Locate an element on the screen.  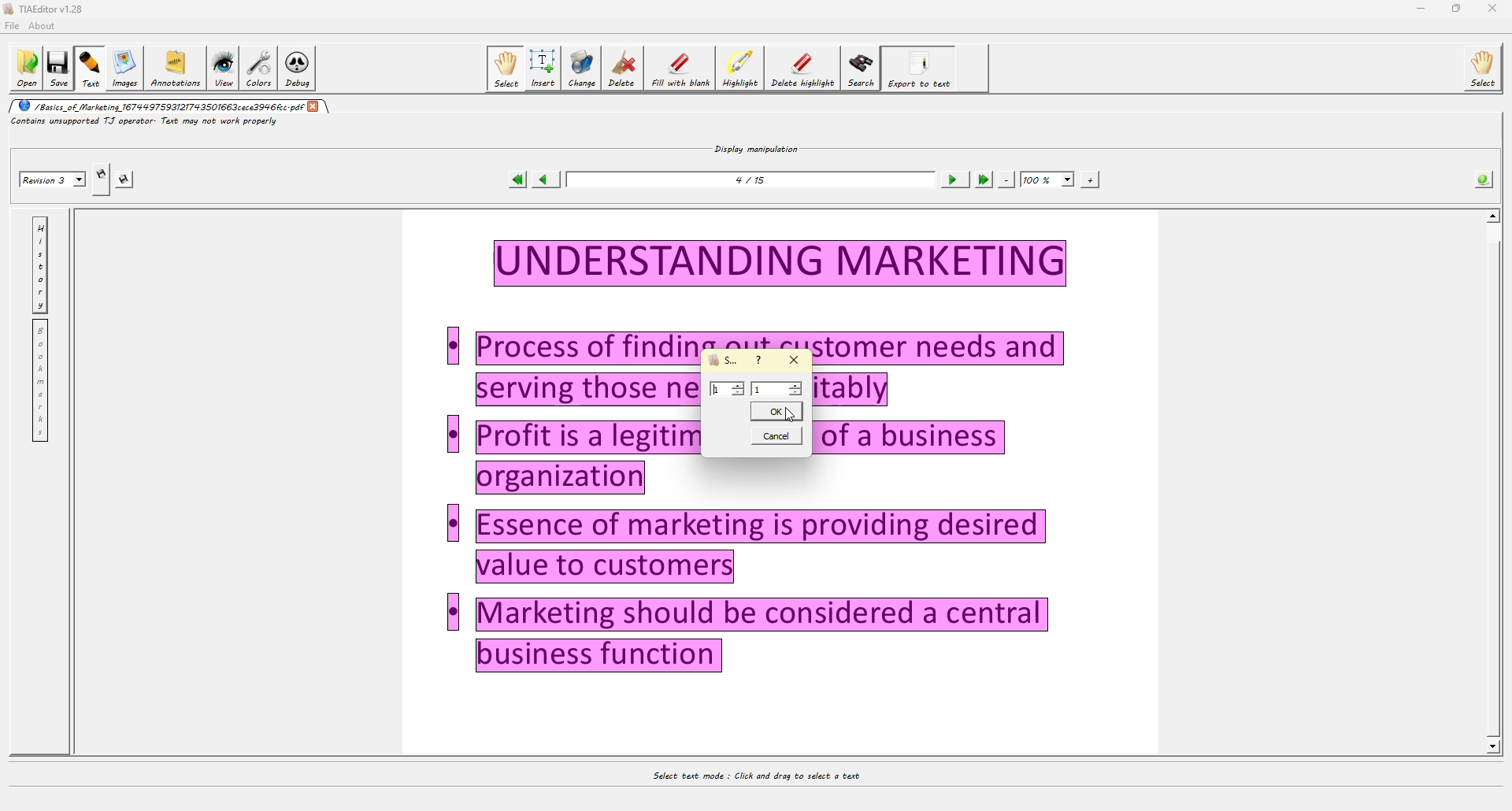
open is located at coordinates (28, 69).